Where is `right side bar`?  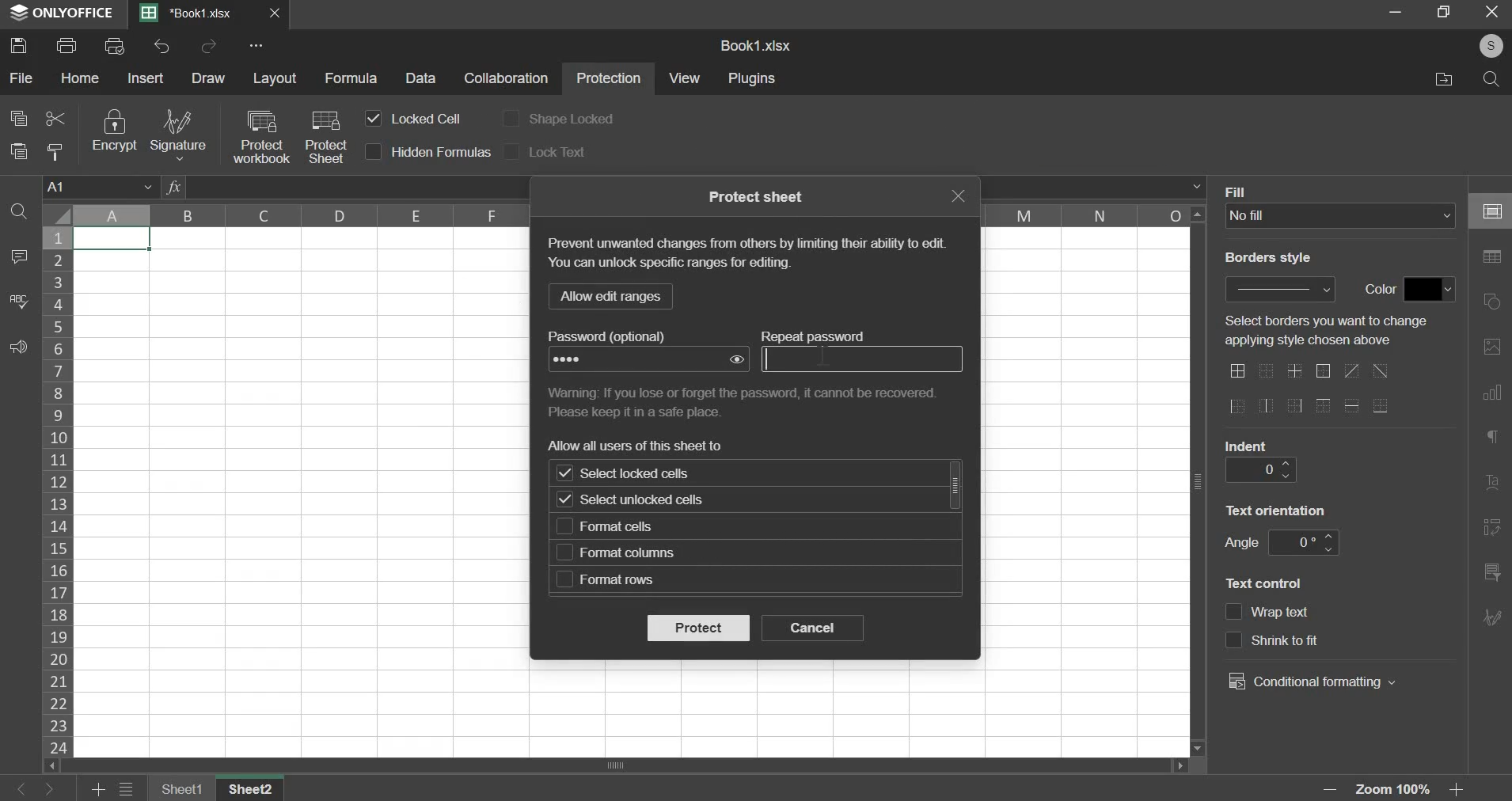 right side bar is located at coordinates (1492, 526).